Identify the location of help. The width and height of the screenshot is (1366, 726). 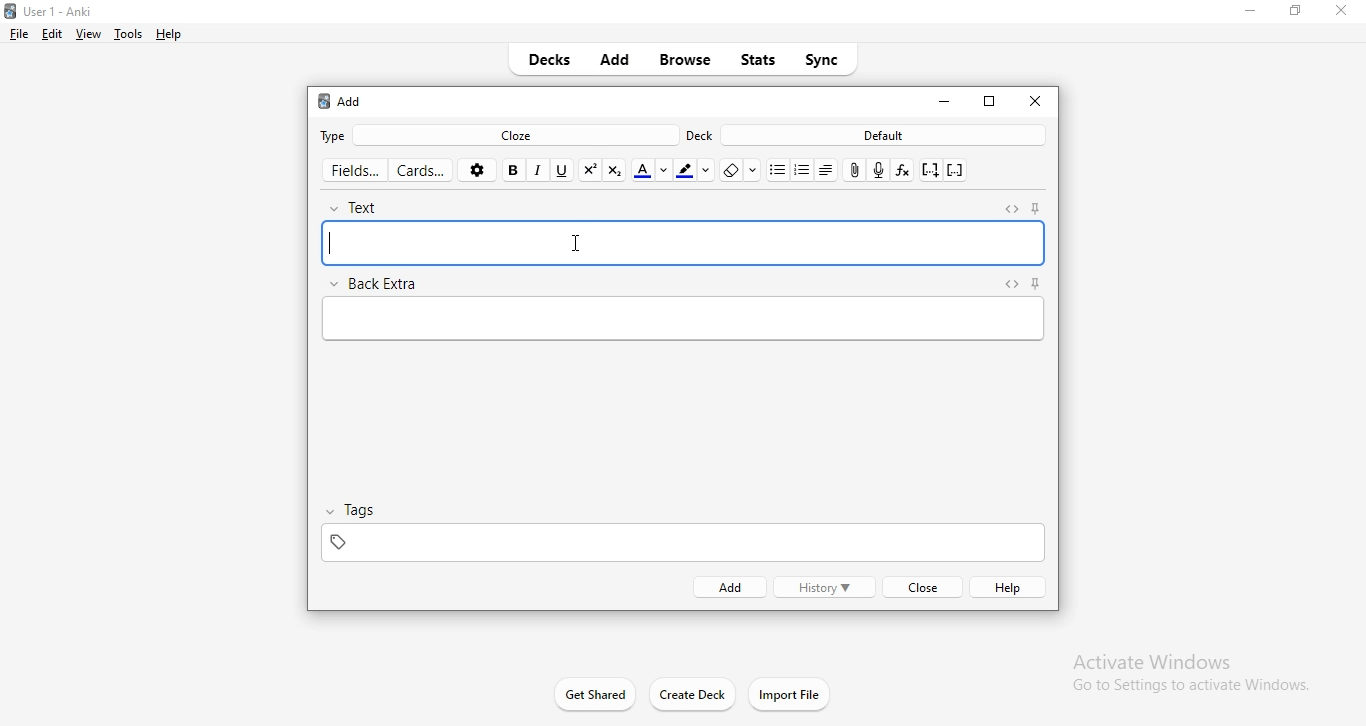
(1011, 587).